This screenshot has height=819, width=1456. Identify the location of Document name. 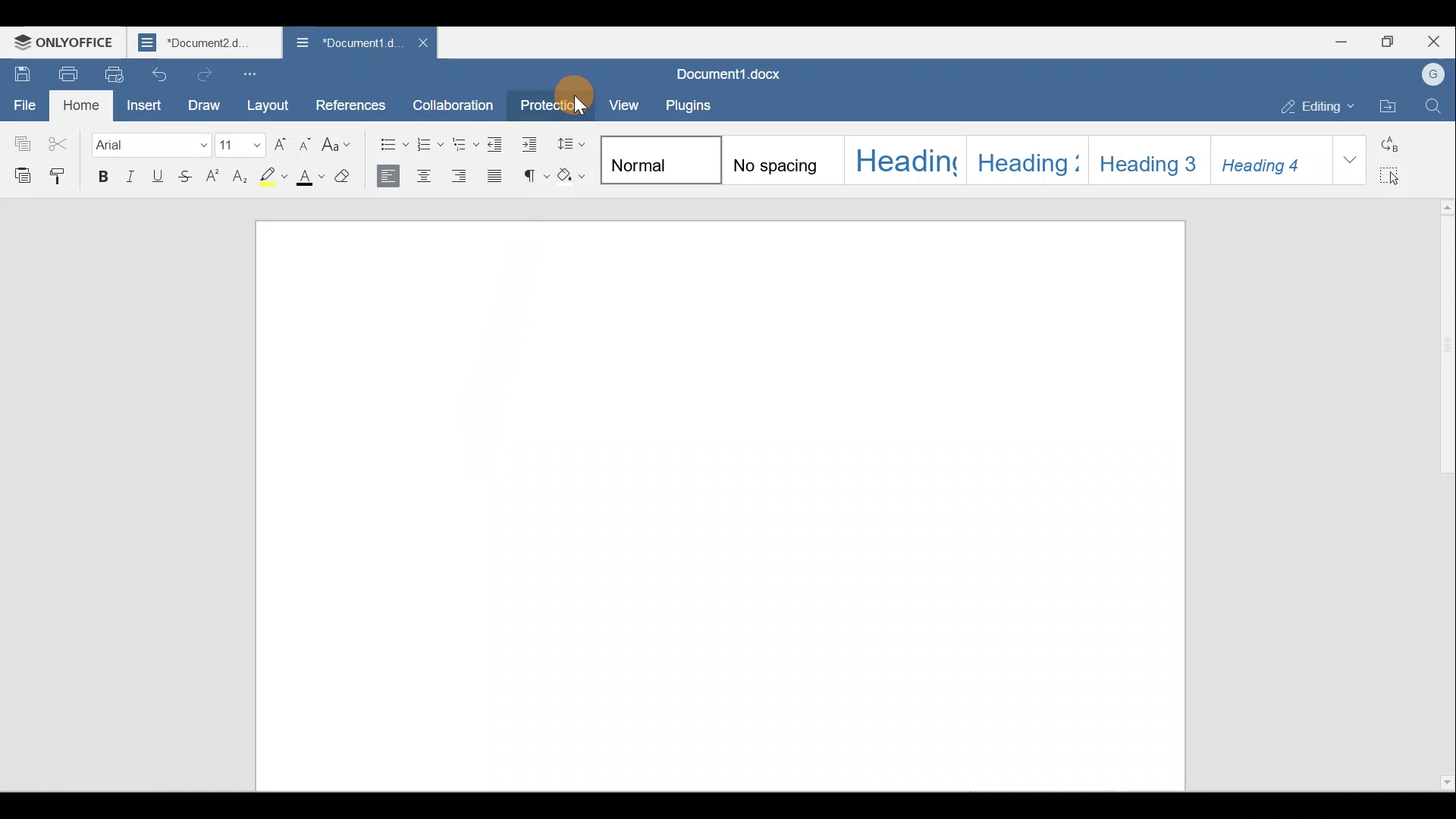
(347, 41).